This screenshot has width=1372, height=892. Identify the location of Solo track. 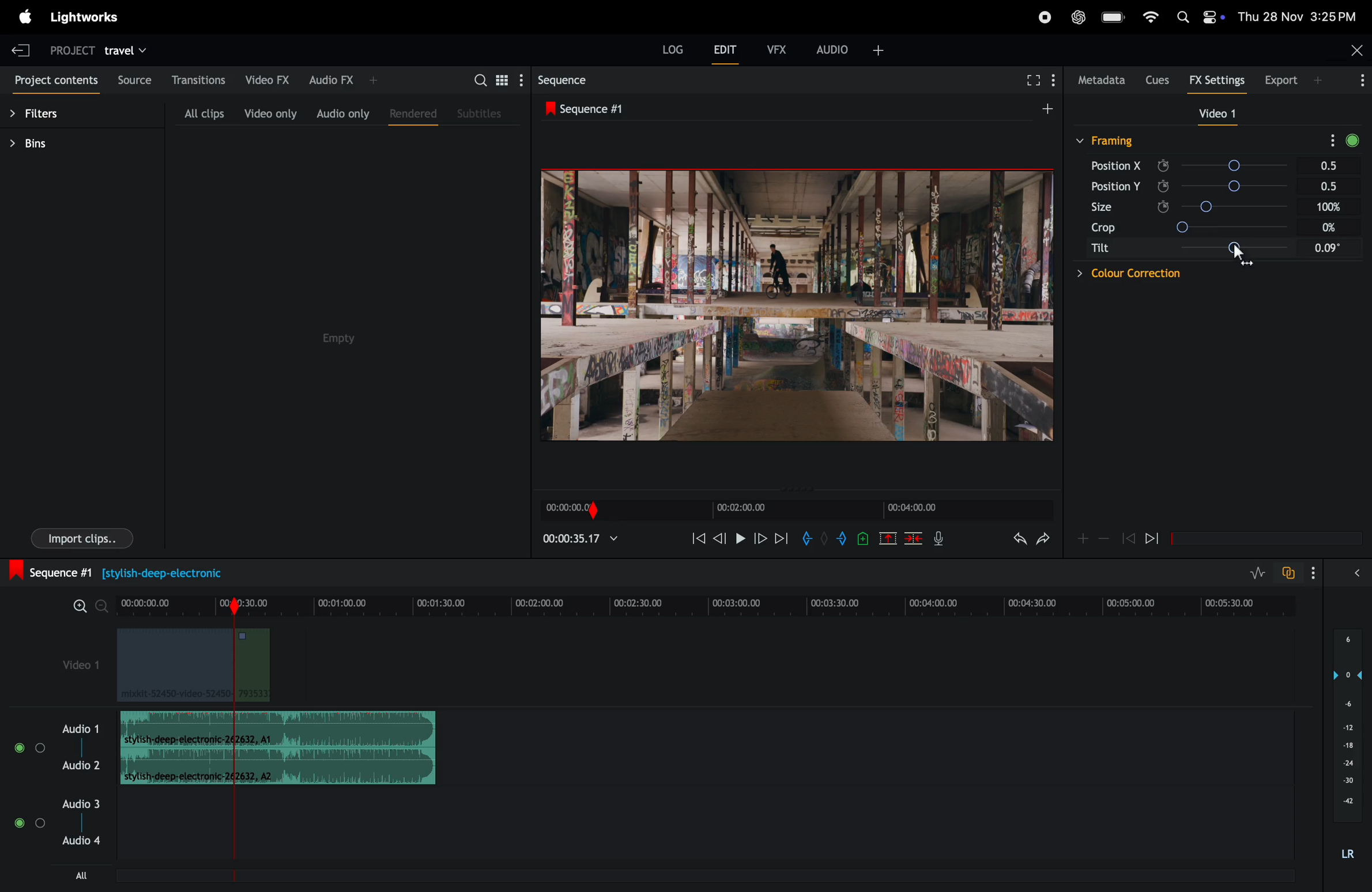
(41, 827).